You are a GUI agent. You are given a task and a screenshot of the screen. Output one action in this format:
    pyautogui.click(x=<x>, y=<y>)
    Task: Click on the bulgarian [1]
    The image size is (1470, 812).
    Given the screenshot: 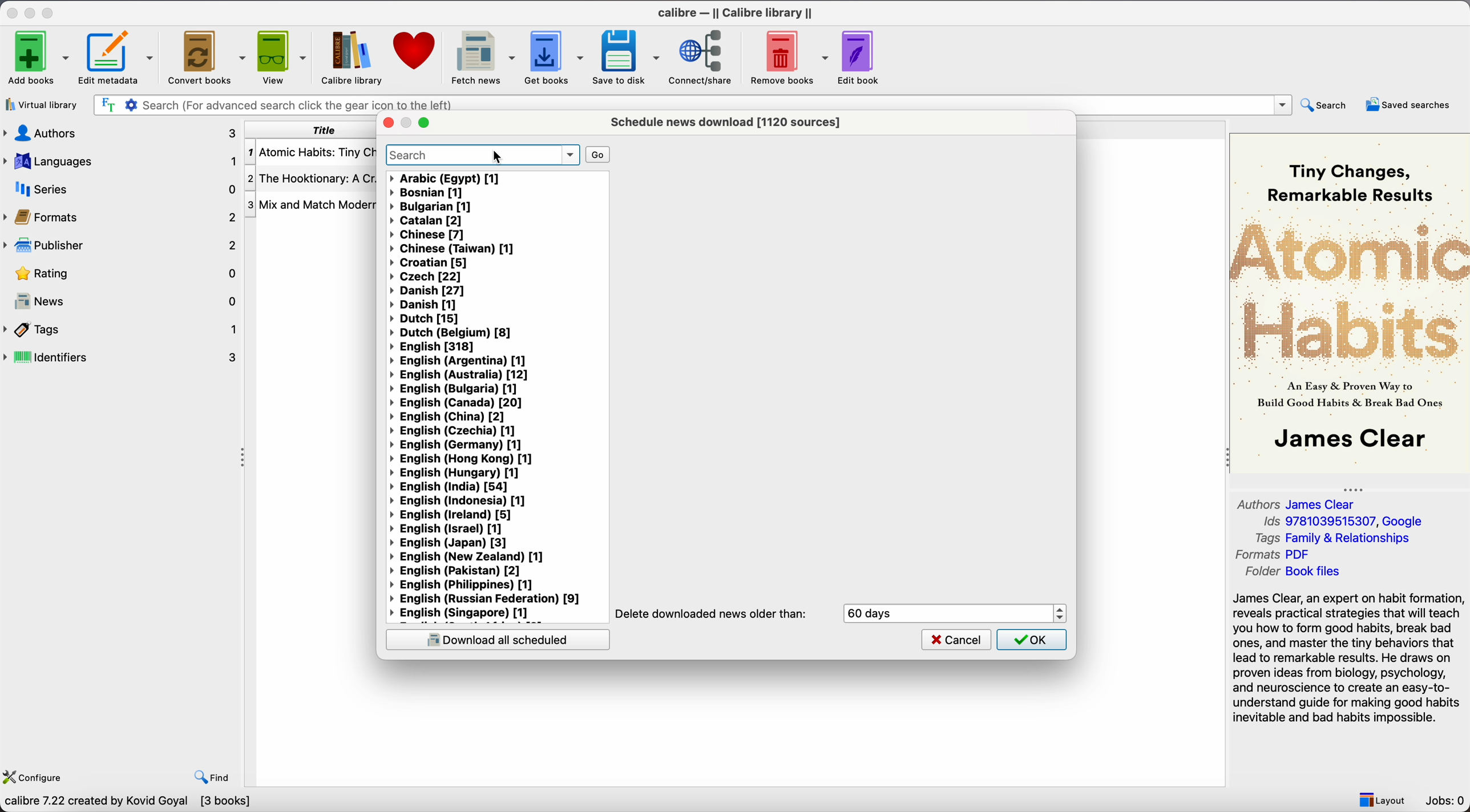 What is the action you would take?
    pyautogui.click(x=432, y=207)
    